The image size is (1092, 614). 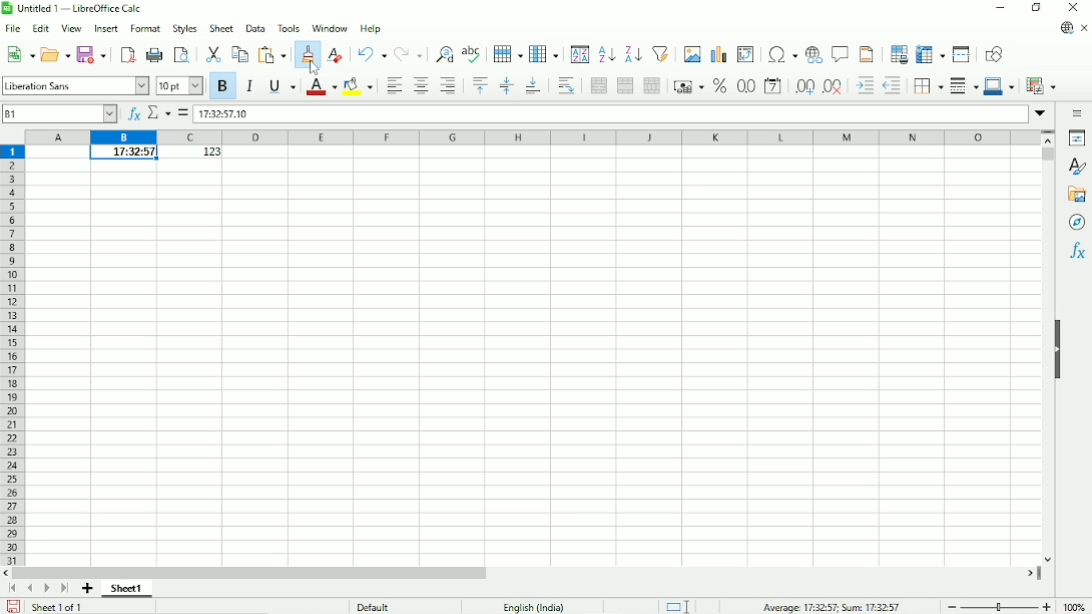 What do you see at coordinates (676, 605) in the screenshot?
I see `Standard selection` at bounding box center [676, 605].